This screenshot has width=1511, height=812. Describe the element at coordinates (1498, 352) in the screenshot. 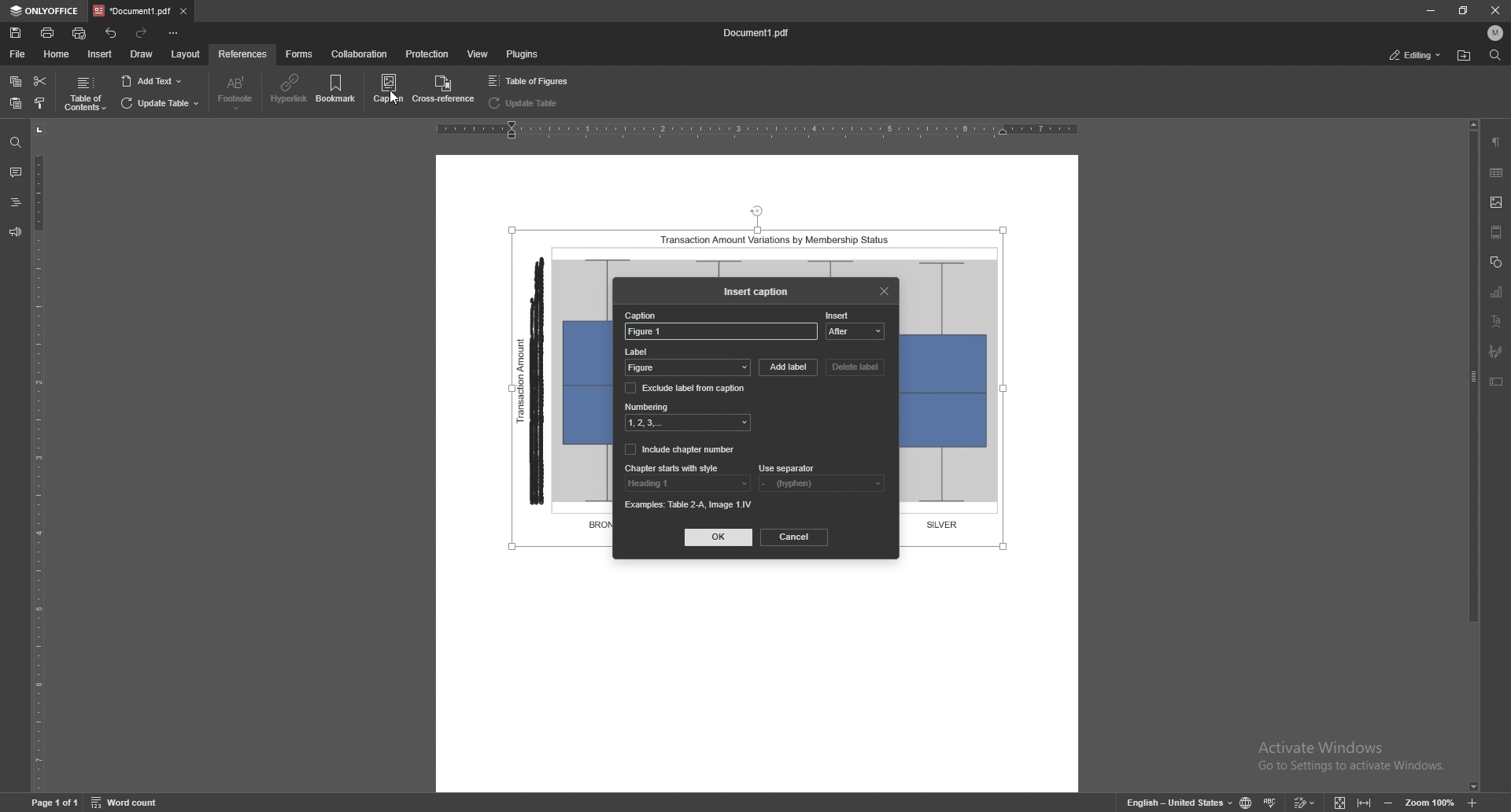

I see `signature` at that location.